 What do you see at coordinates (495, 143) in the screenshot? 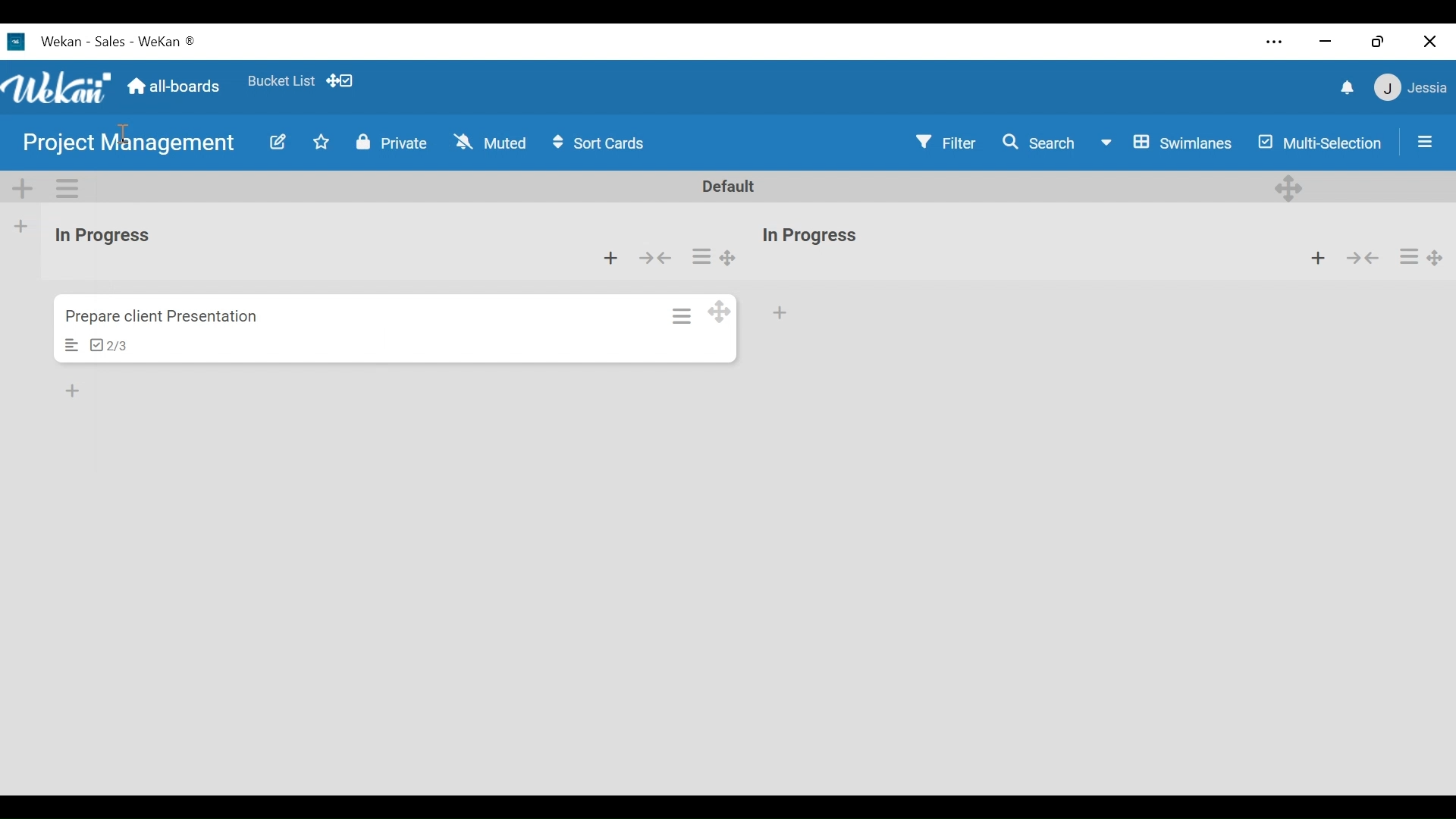
I see `Muted` at bounding box center [495, 143].